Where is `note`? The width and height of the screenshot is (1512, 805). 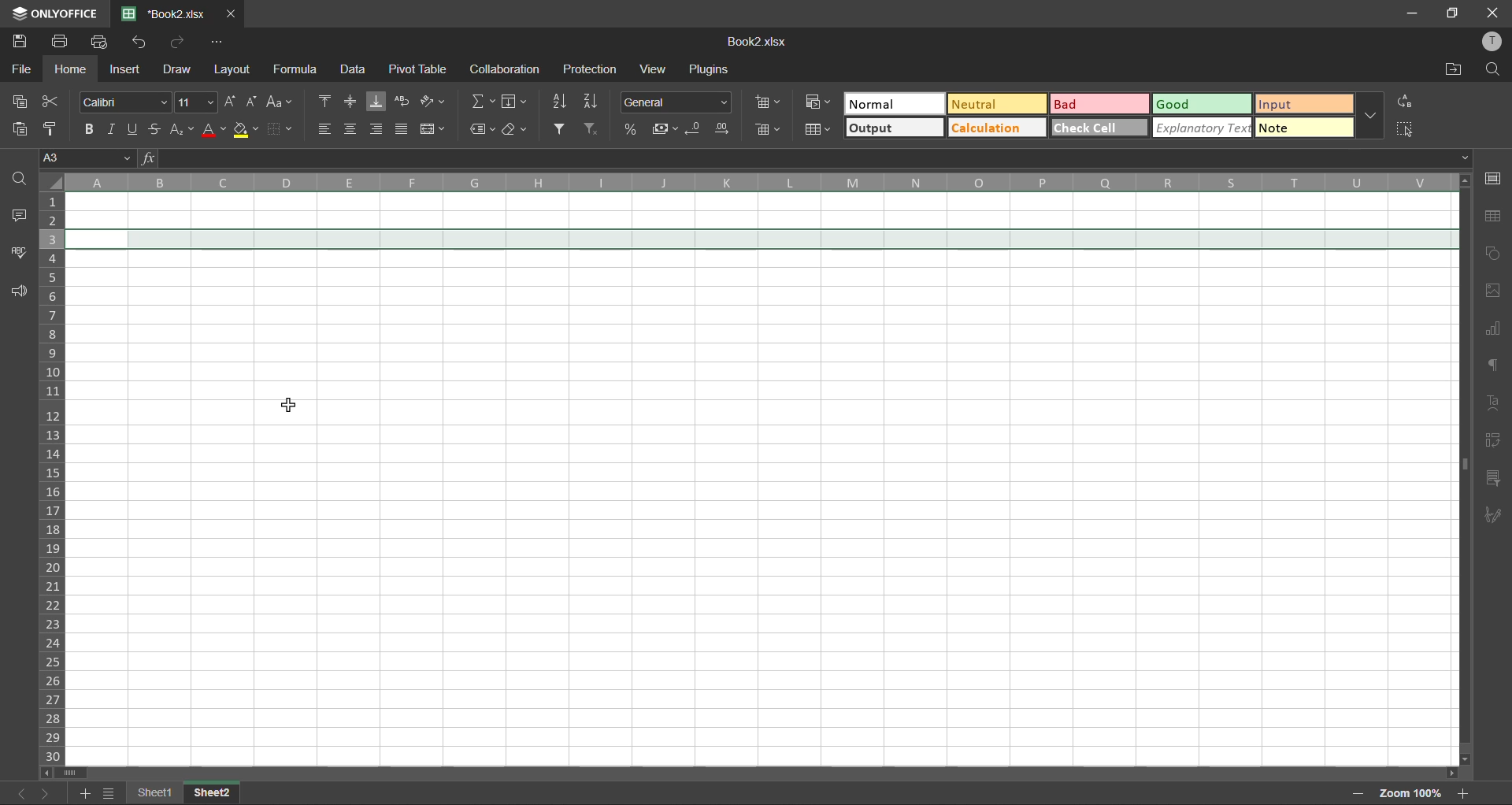 note is located at coordinates (1299, 129).